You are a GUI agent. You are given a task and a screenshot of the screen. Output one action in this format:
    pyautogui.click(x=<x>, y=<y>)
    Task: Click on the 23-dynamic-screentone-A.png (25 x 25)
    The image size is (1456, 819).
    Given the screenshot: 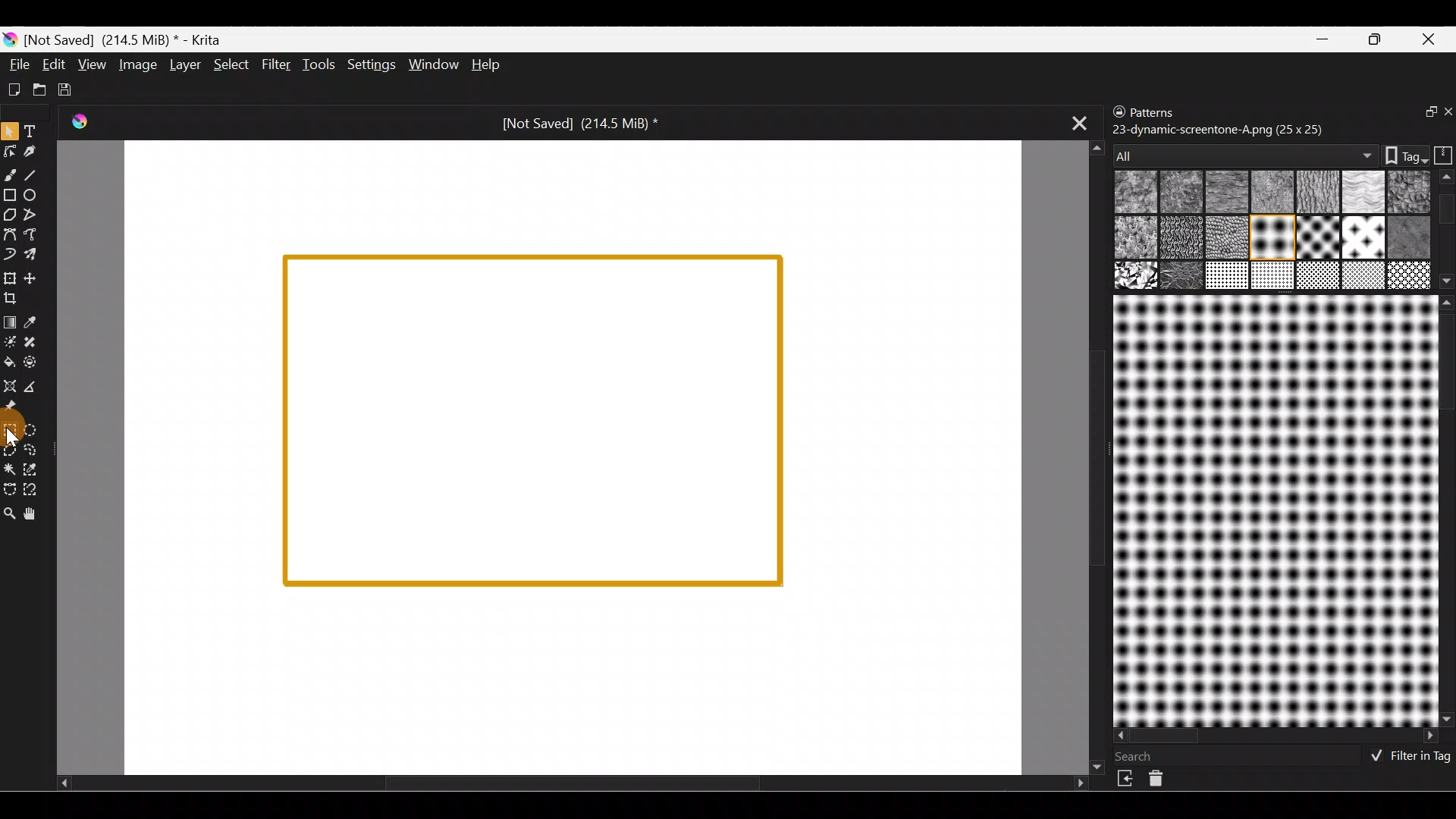 What is the action you would take?
    pyautogui.click(x=1219, y=128)
    